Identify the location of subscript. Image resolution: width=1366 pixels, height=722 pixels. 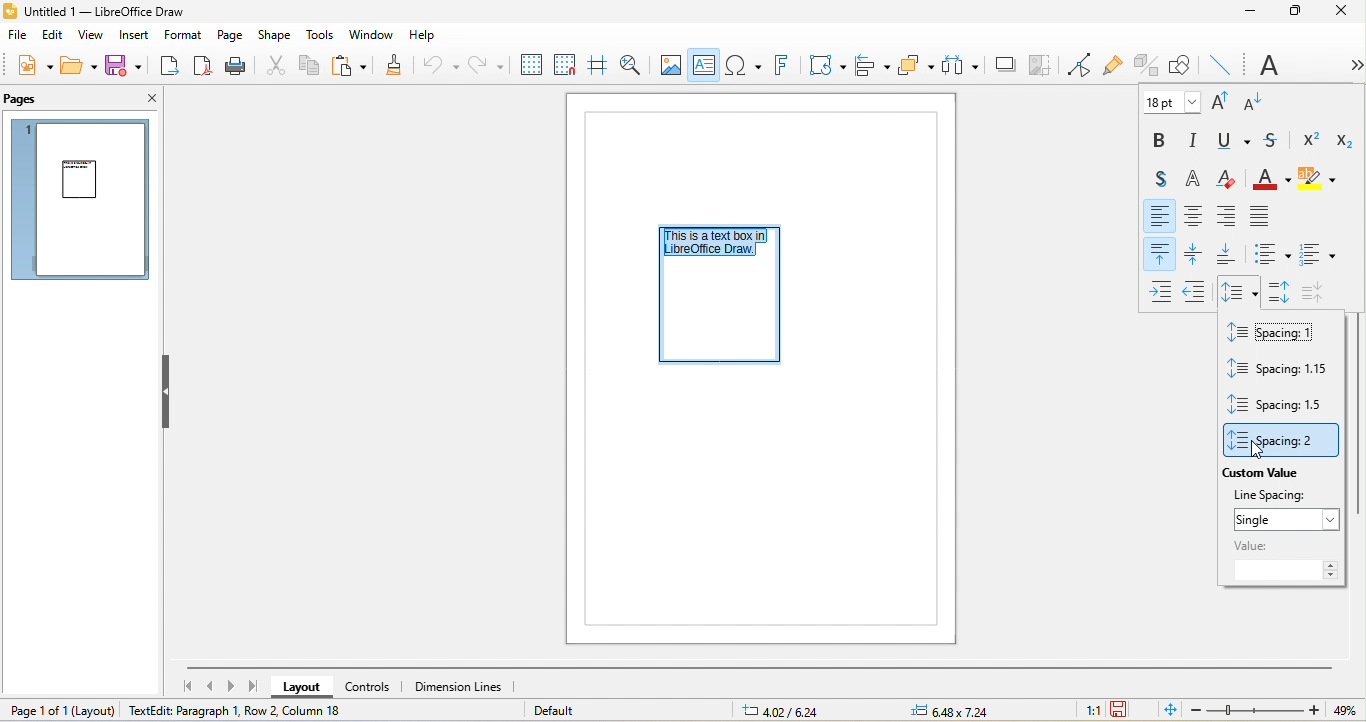
(1343, 140).